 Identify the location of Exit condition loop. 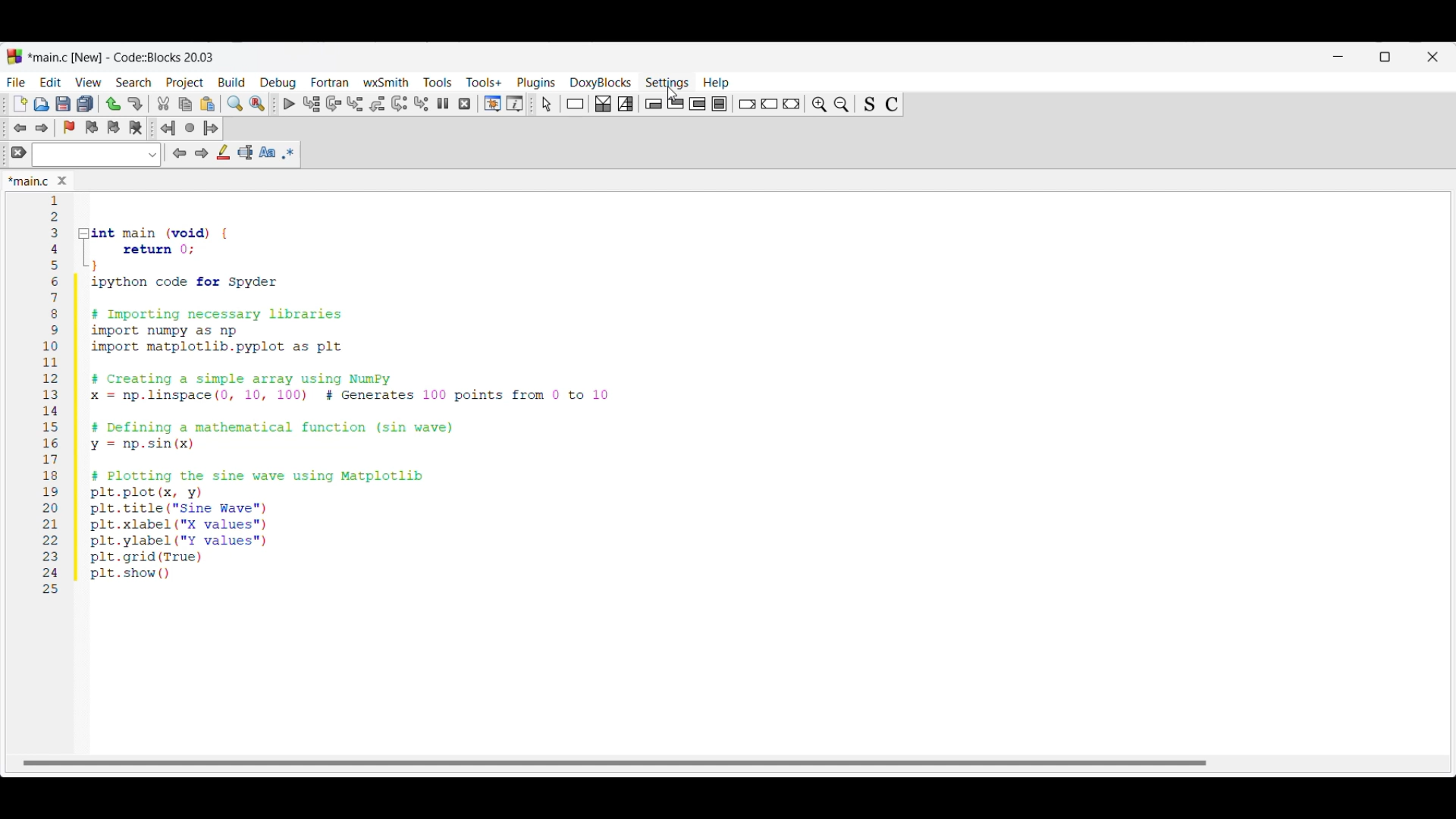
(676, 103).